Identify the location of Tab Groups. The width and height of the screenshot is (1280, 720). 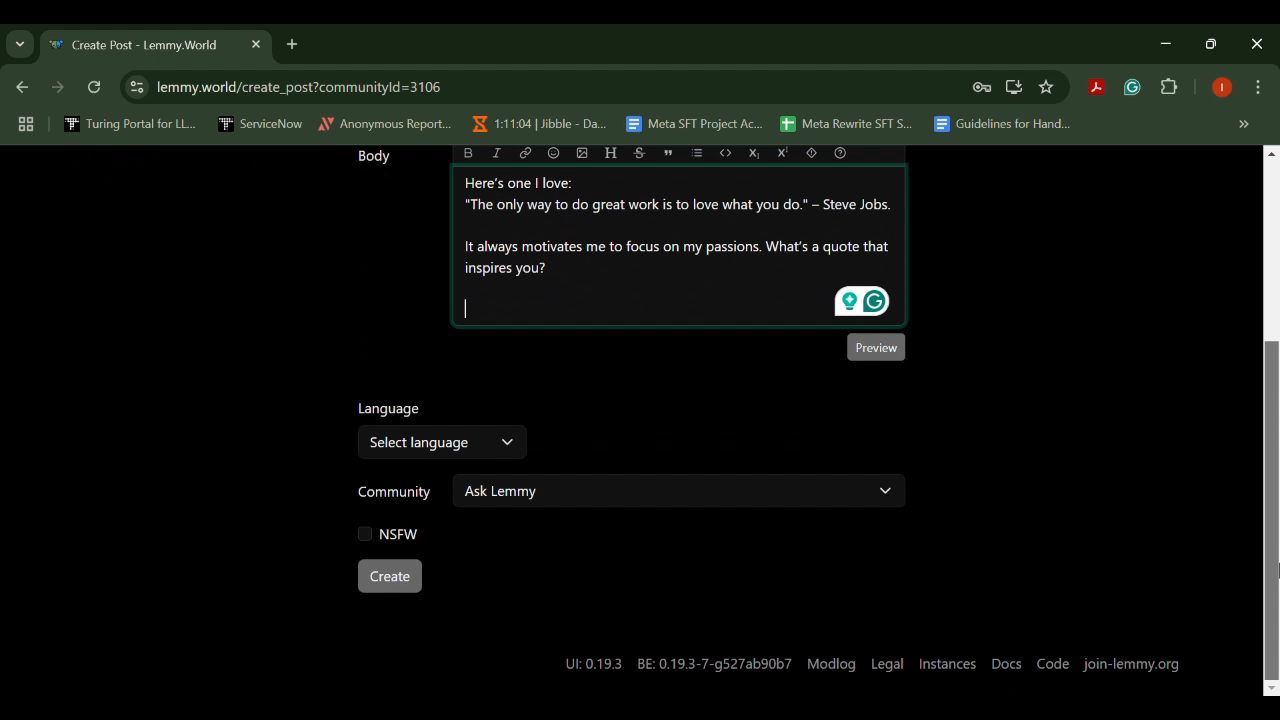
(23, 125).